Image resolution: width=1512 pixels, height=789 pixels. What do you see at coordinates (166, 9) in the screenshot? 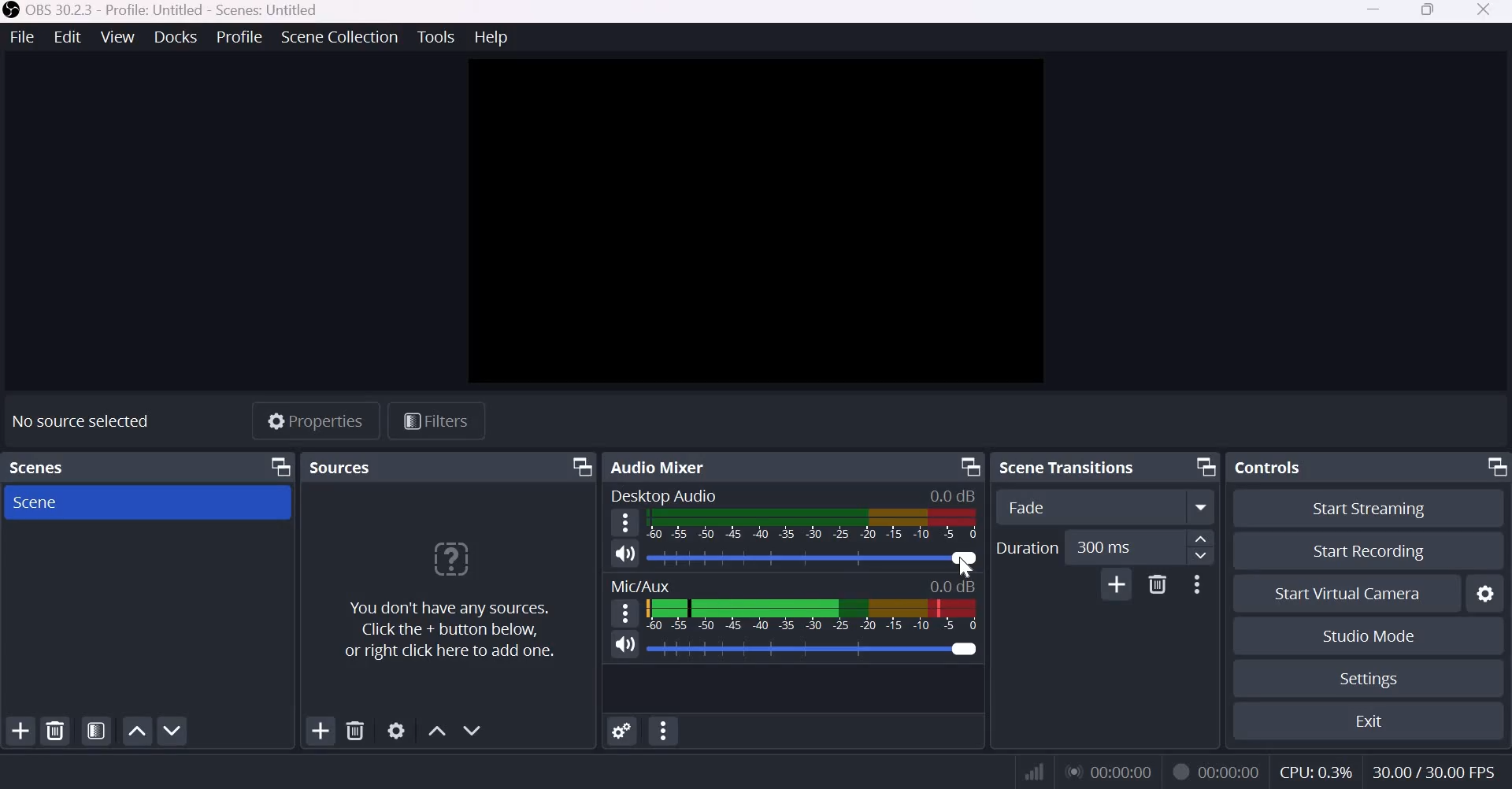
I see `OBS 30.2.3 - Profile Untitled - Scenes untitled` at bounding box center [166, 9].